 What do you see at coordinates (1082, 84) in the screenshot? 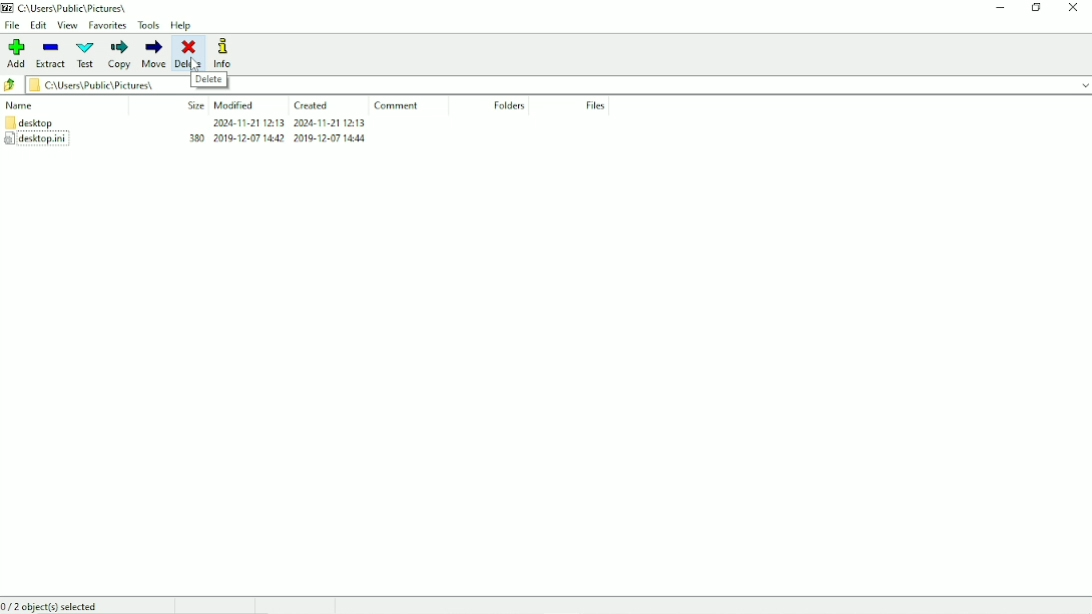
I see `dropdown` at bounding box center [1082, 84].